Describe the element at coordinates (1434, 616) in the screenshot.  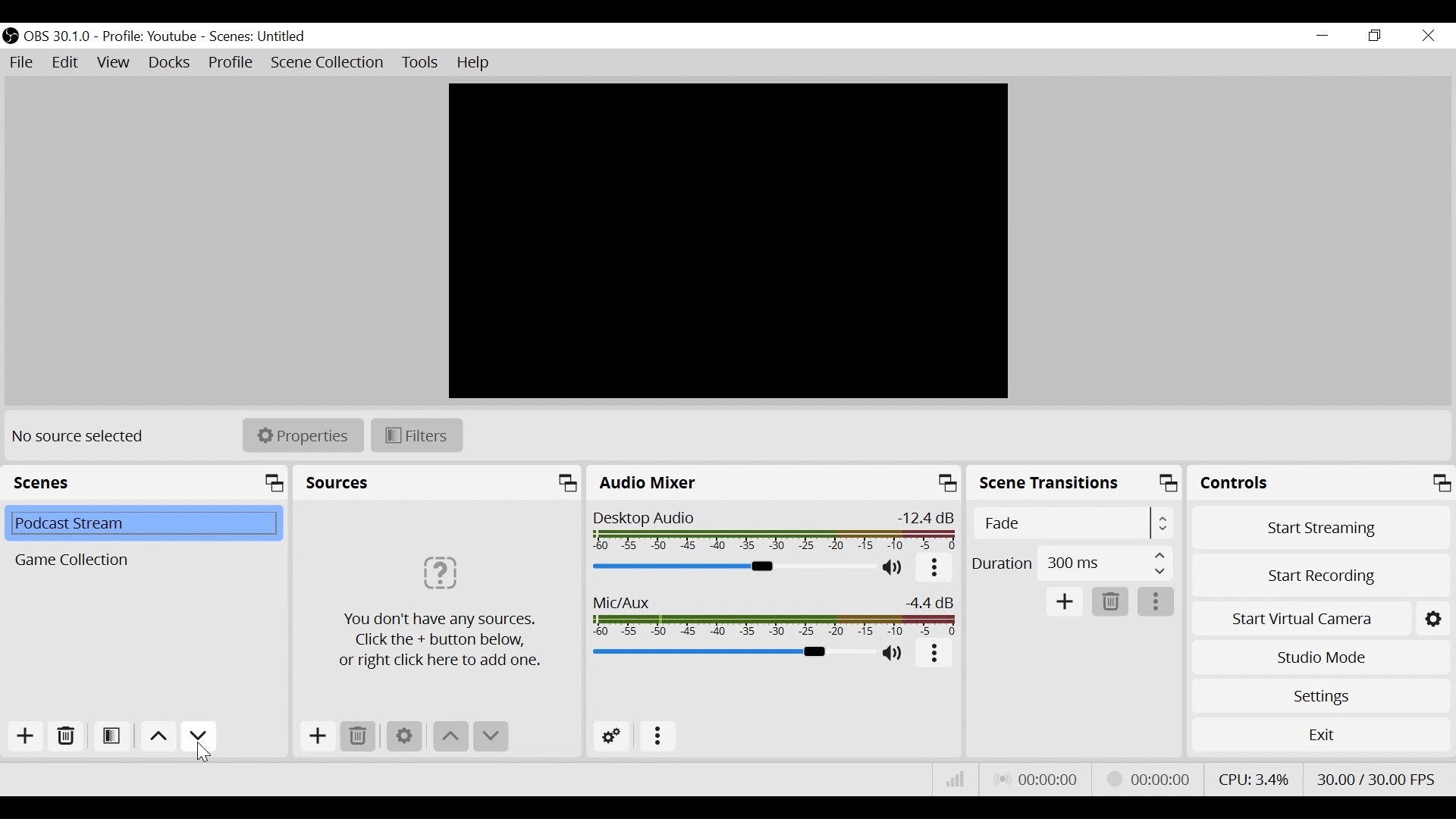
I see `Setting` at that location.